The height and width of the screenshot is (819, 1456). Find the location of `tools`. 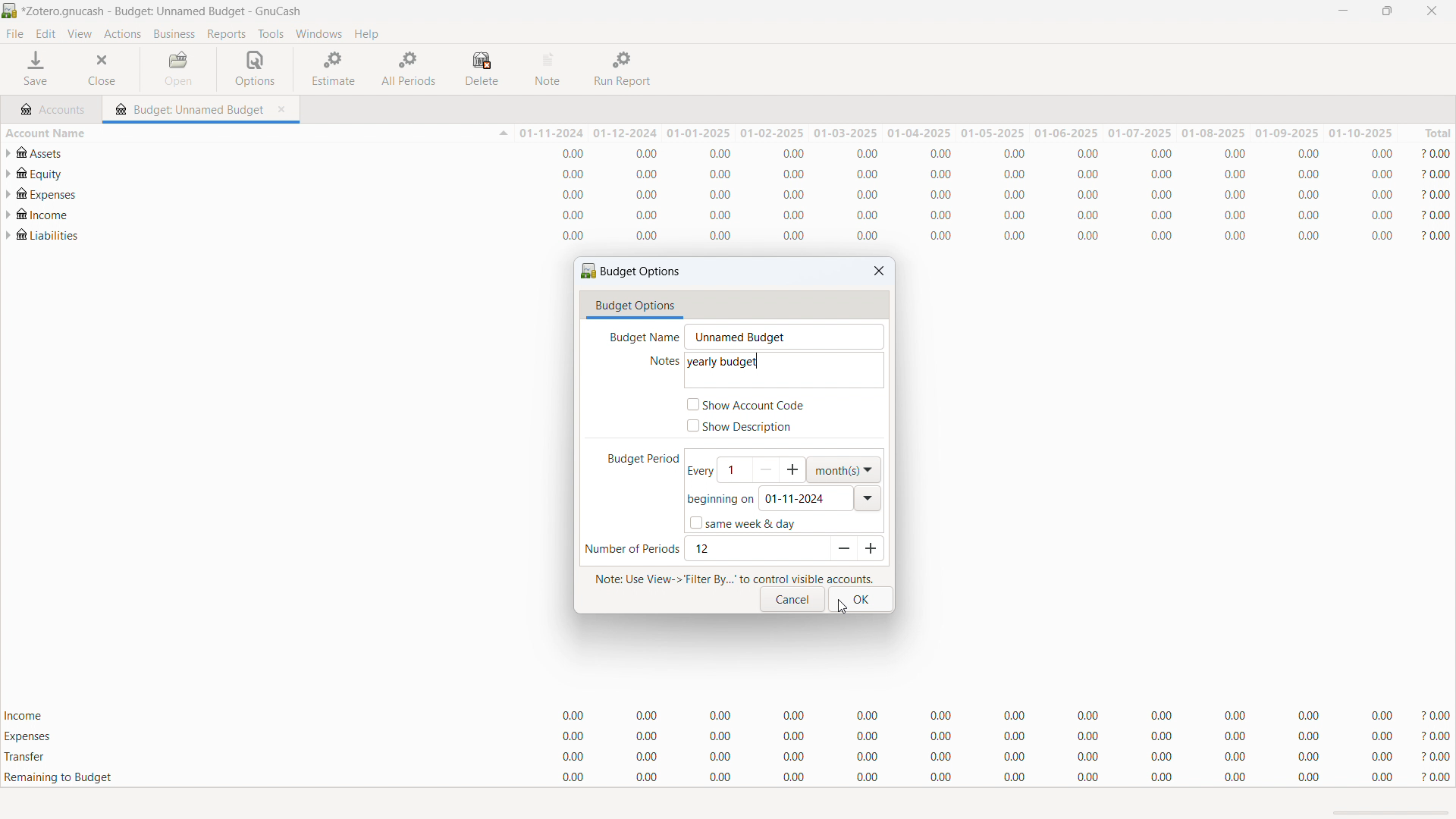

tools is located at coordinates (271, 33).